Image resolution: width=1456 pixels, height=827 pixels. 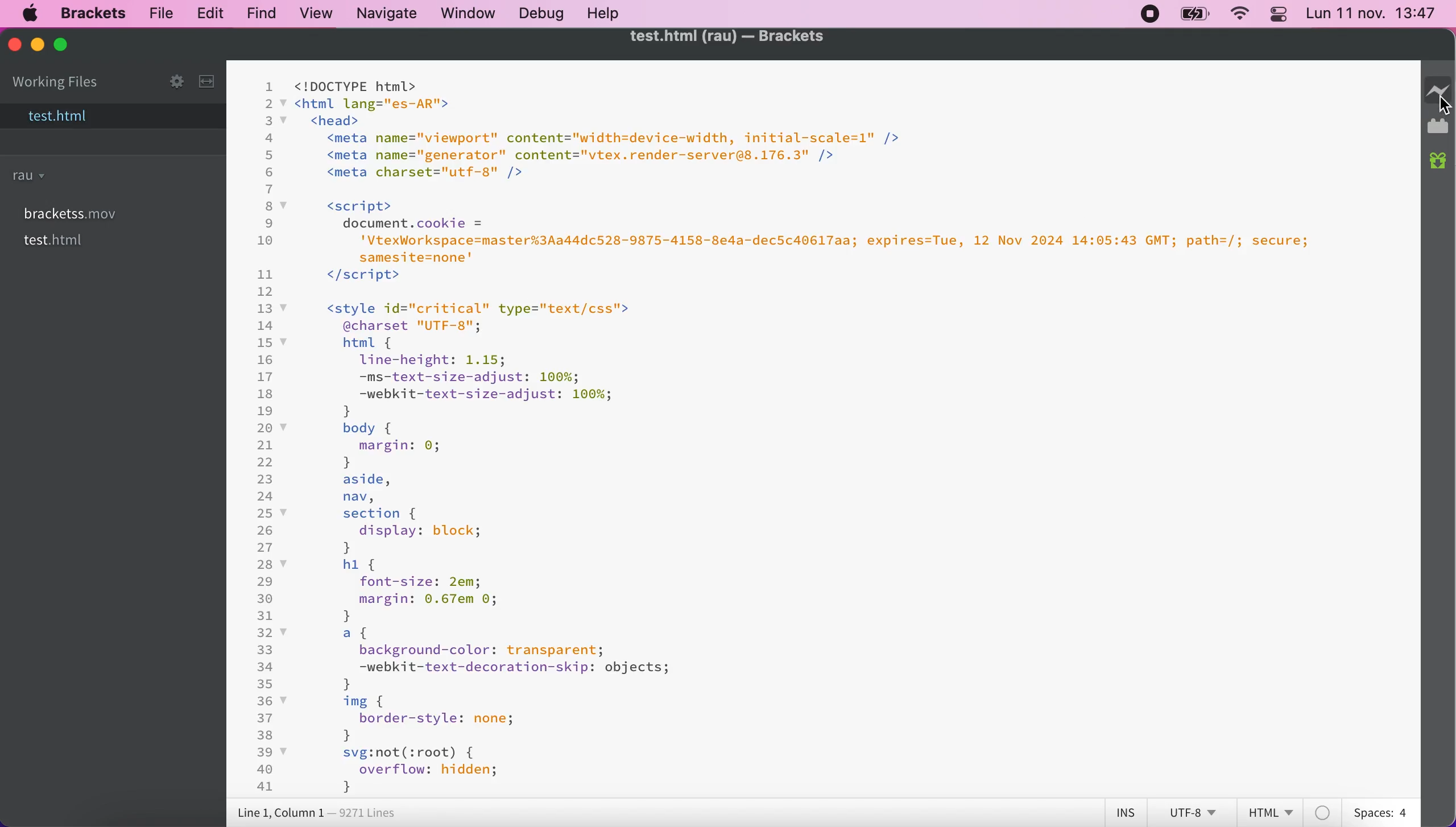 I want to click on close, so click(x=15, y=44).